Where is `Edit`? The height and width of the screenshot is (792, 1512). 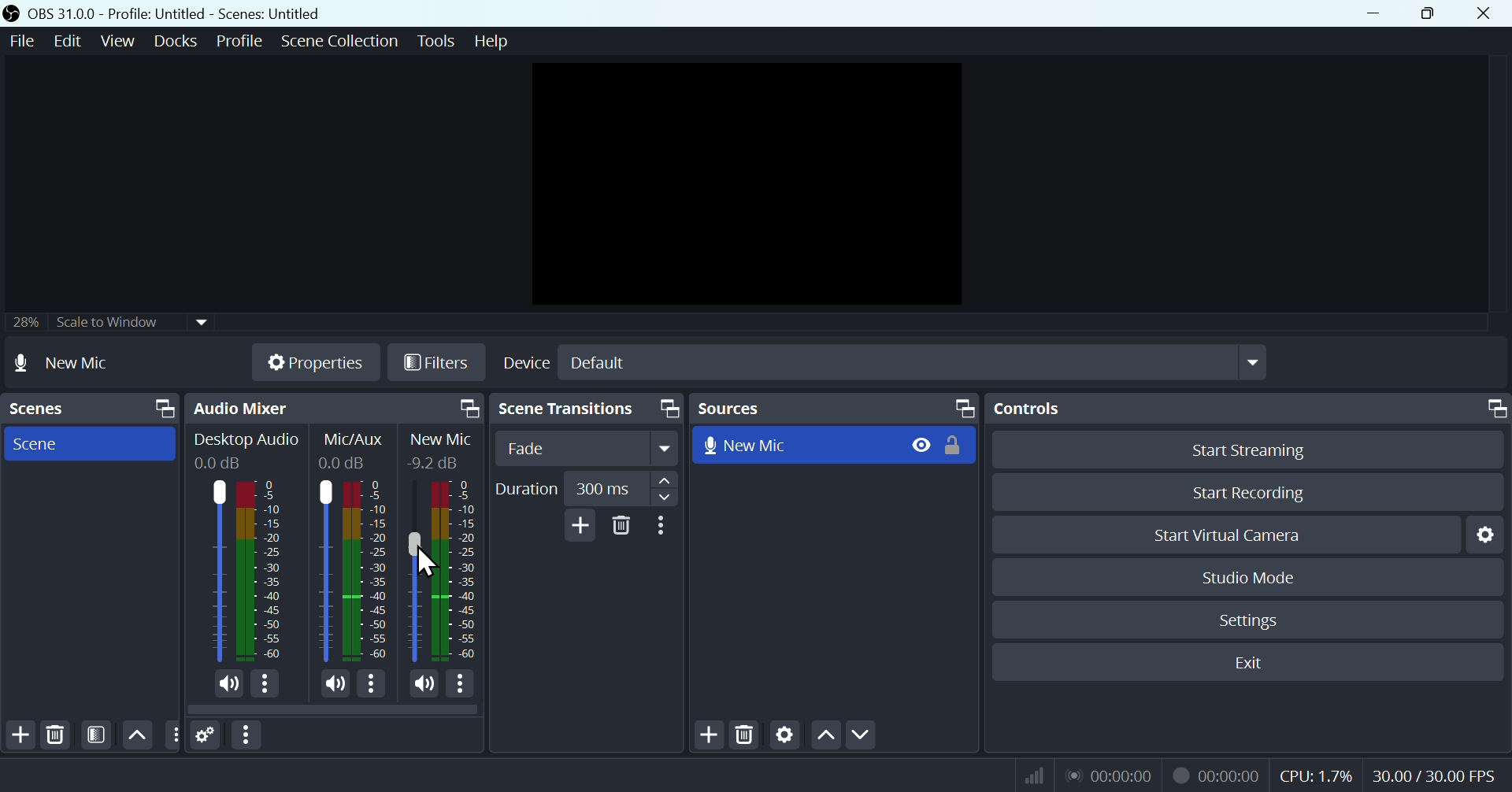
Edit is located at coordinates (65, 41).